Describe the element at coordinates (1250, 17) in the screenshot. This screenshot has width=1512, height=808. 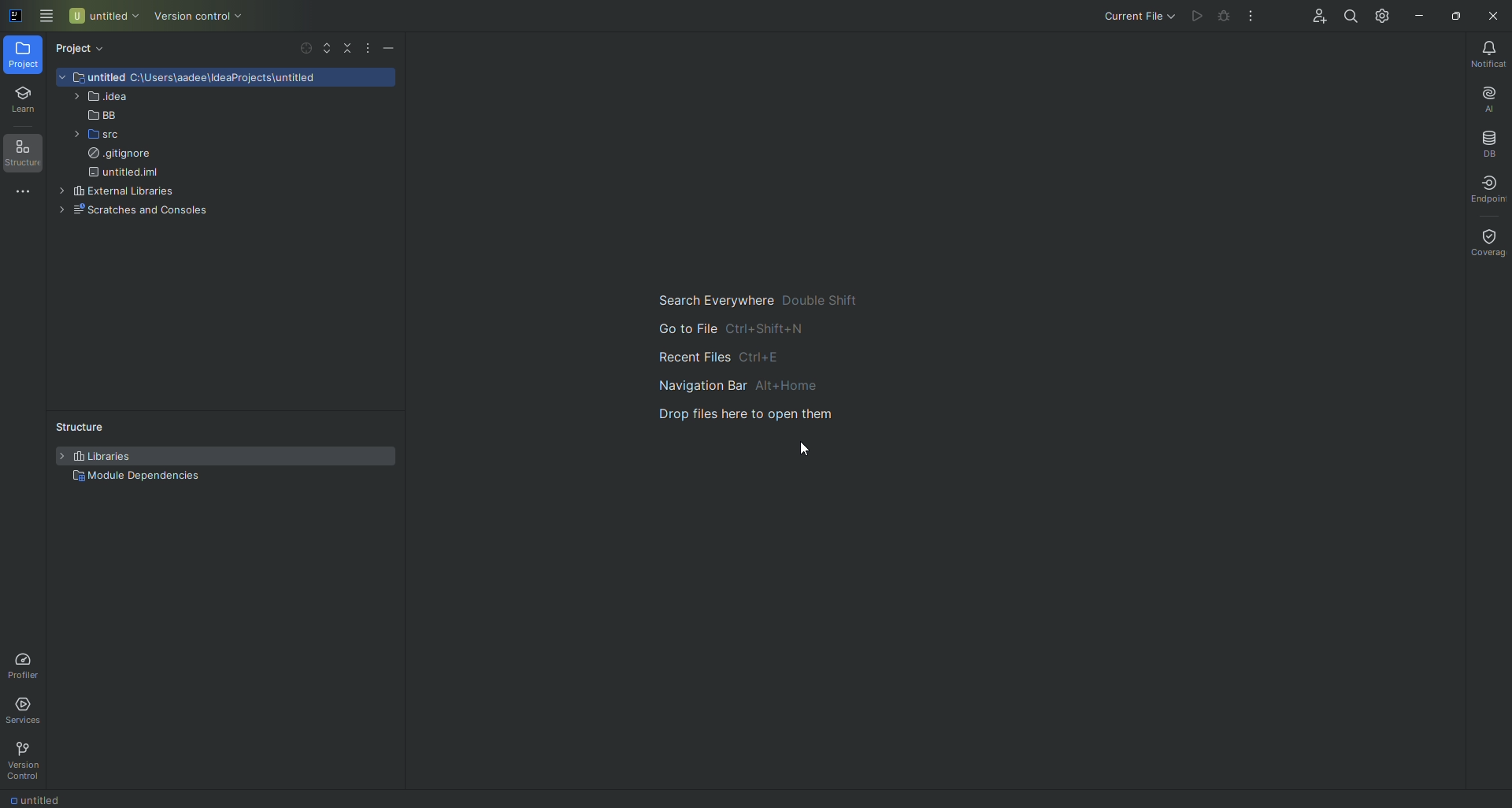
I see `More Actions` at that location.